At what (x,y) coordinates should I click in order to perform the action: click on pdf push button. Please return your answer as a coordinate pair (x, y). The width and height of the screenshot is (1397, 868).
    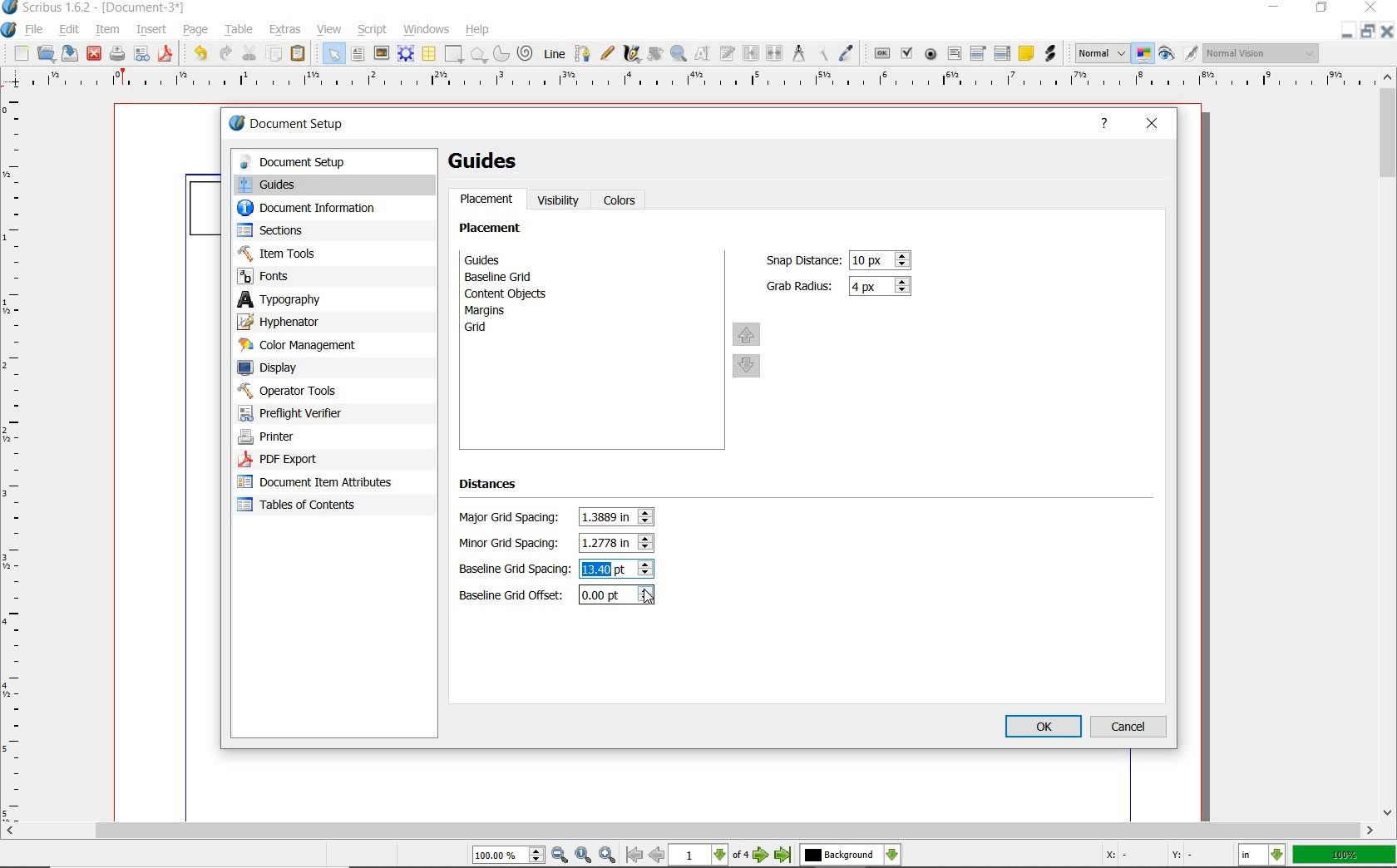
    Looking at the image, I should click on (881, 52).